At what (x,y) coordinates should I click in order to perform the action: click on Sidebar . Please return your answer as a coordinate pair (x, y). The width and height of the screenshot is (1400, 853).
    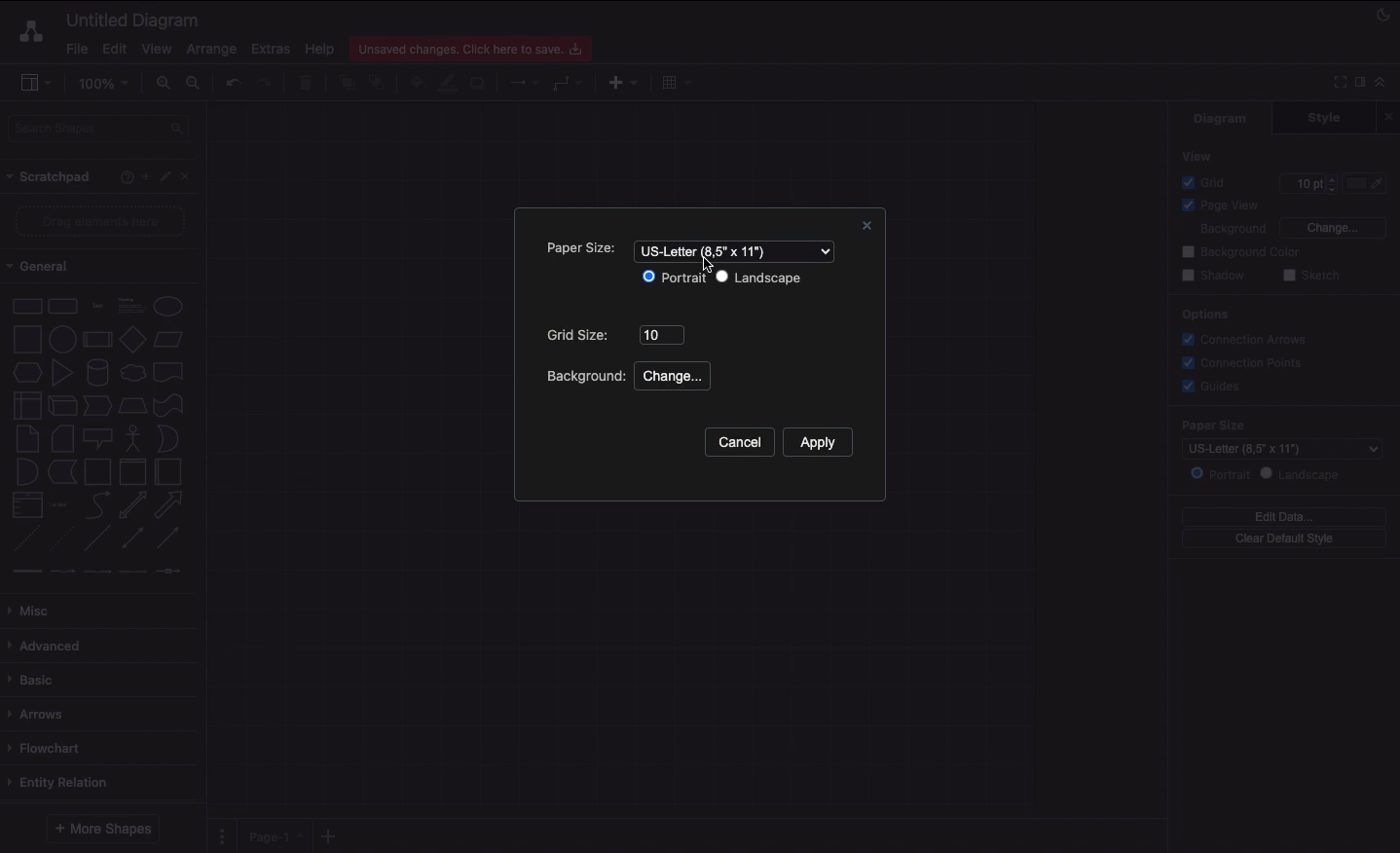
    Looking at the image, I should click on (35, 84).